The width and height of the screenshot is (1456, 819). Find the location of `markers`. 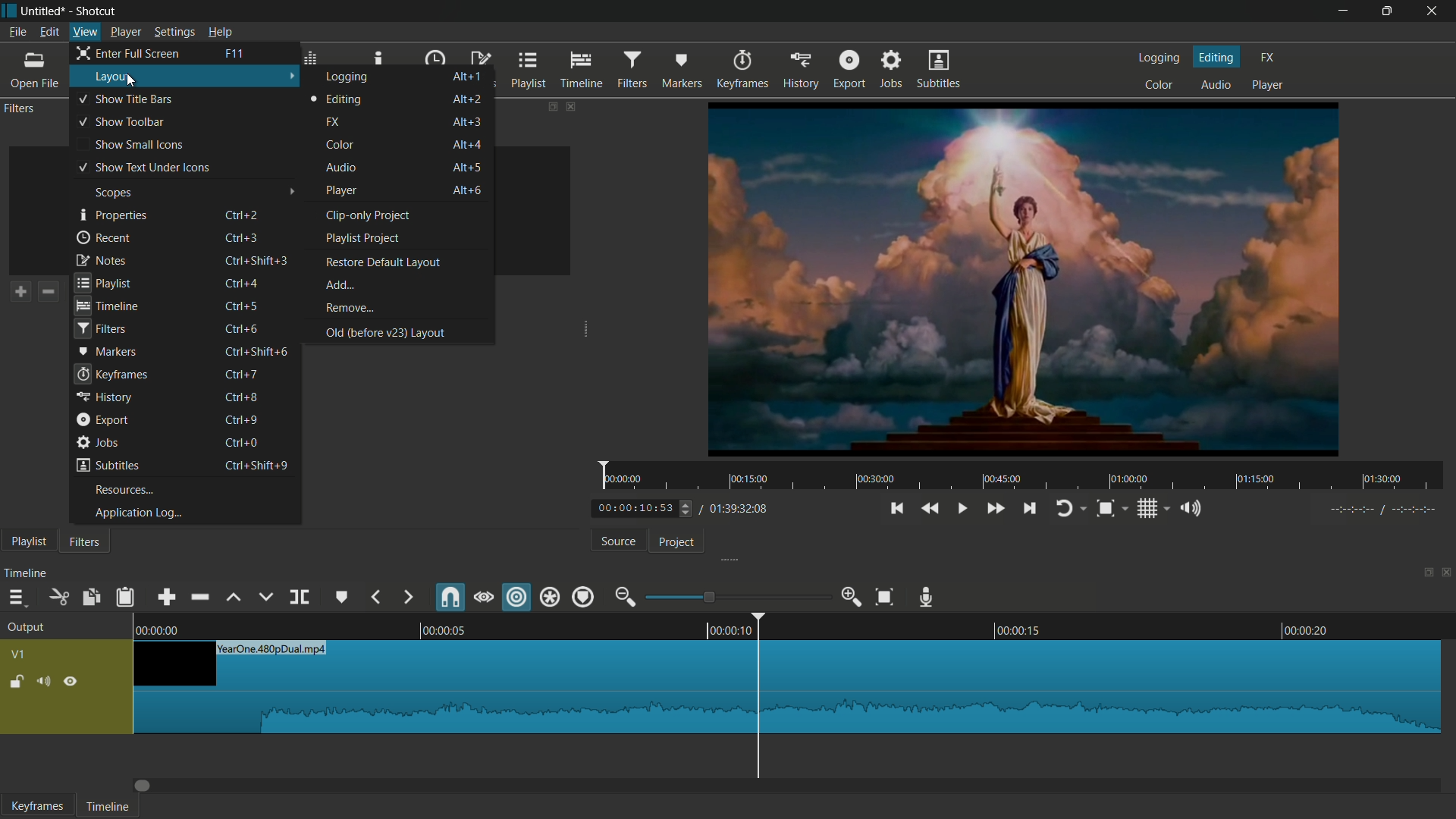

markers is located at coordinates (679, 70).